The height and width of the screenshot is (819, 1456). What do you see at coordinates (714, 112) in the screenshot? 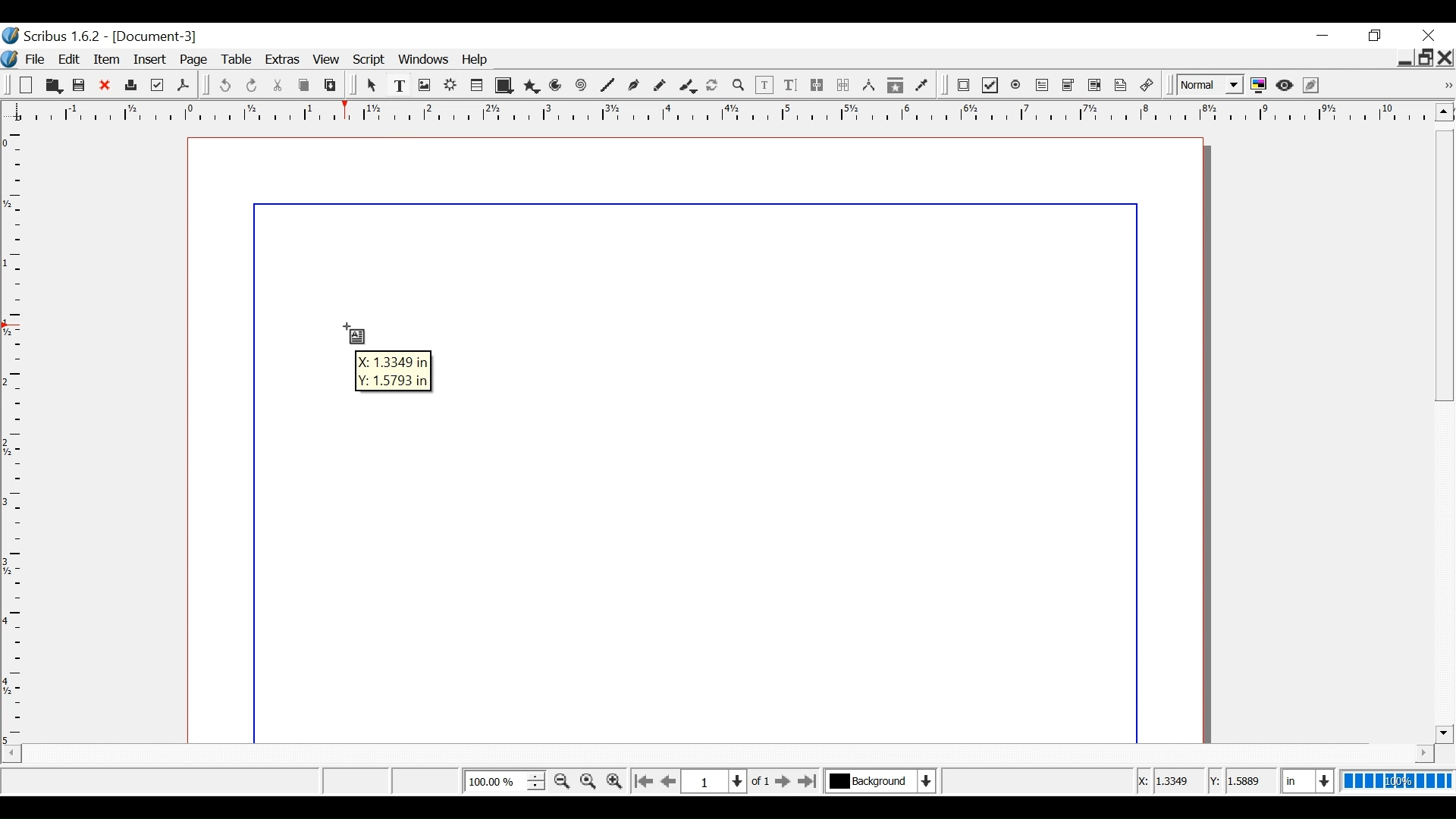
I see `Horizontal ruler` at bounding box center [714, 112].